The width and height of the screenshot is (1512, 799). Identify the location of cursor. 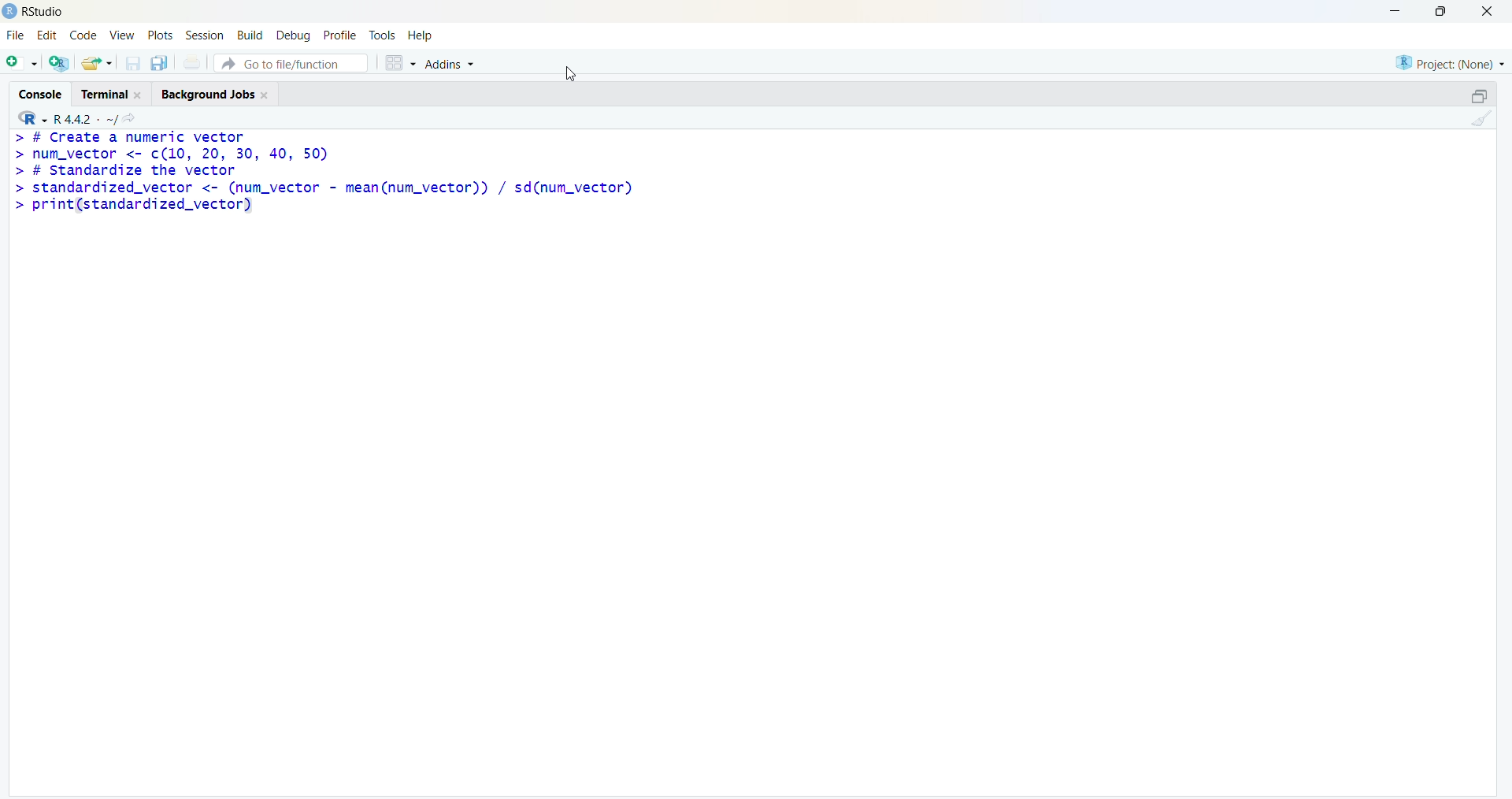
(571, 73).